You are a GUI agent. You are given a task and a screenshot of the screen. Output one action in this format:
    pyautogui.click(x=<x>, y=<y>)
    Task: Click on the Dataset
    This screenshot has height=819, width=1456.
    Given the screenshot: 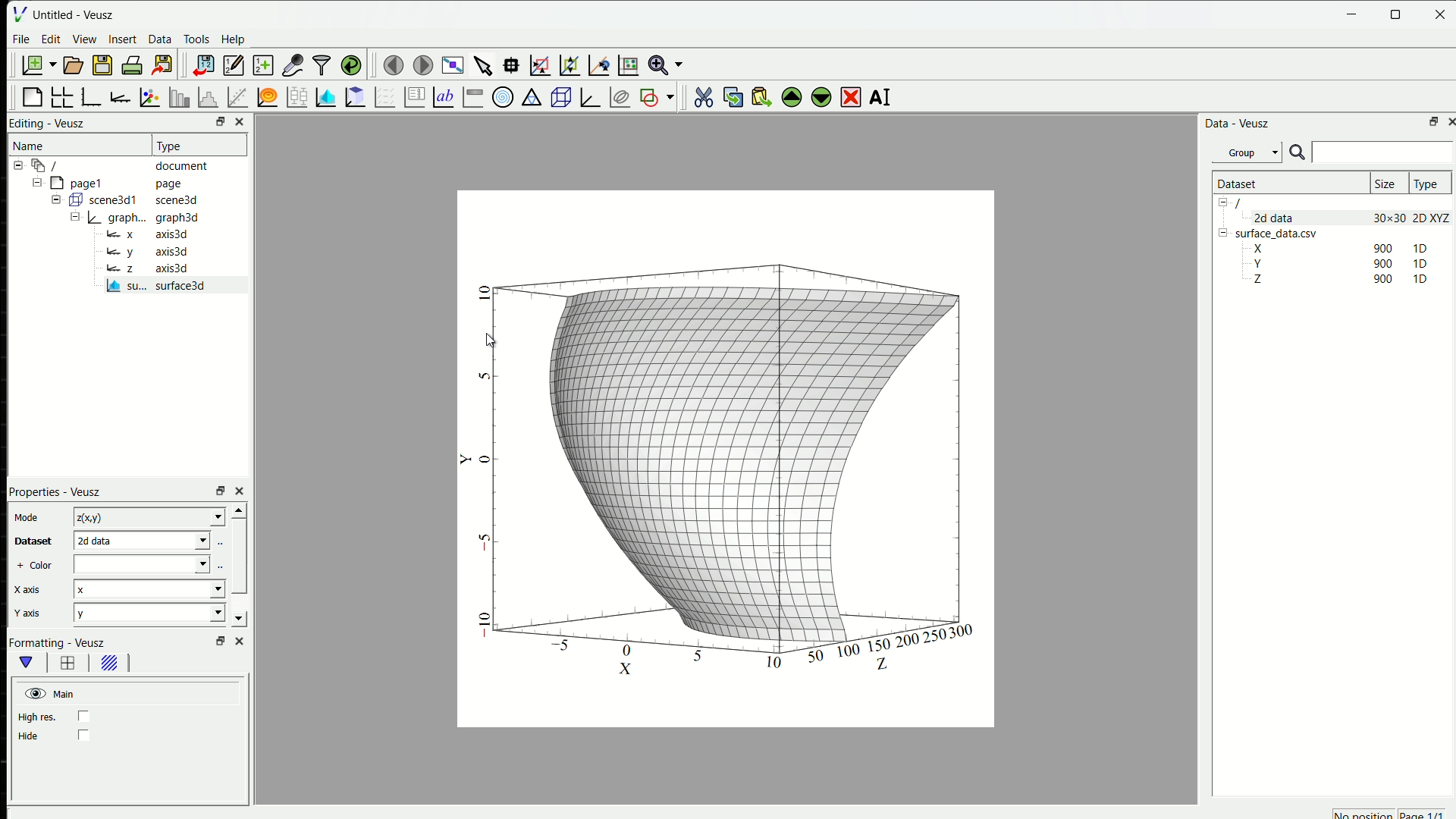 What is the action you would take?
    pyautogui.click(x=32, y=542)
    